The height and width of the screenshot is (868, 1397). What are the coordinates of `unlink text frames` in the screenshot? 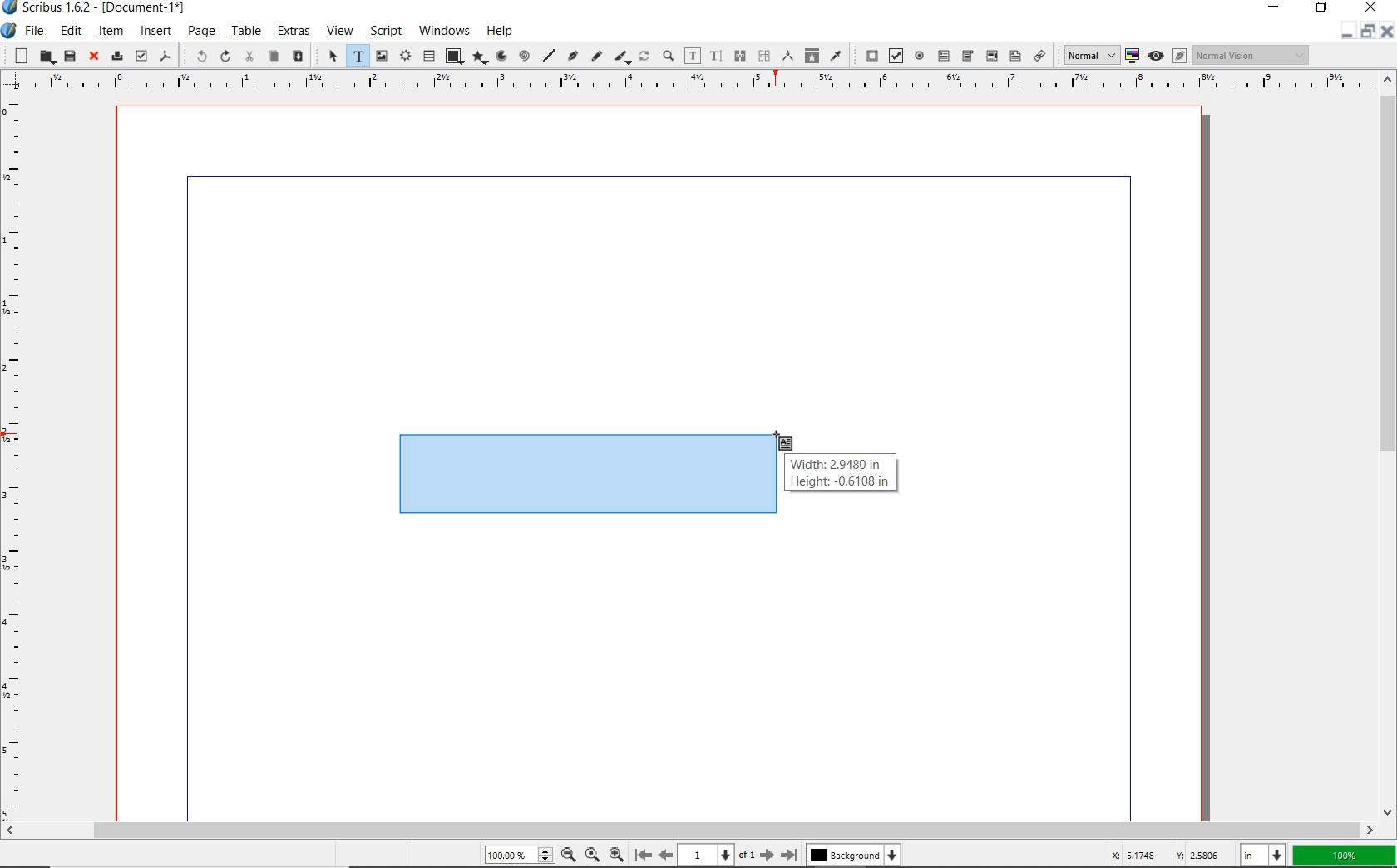 It's located at (763, 57).